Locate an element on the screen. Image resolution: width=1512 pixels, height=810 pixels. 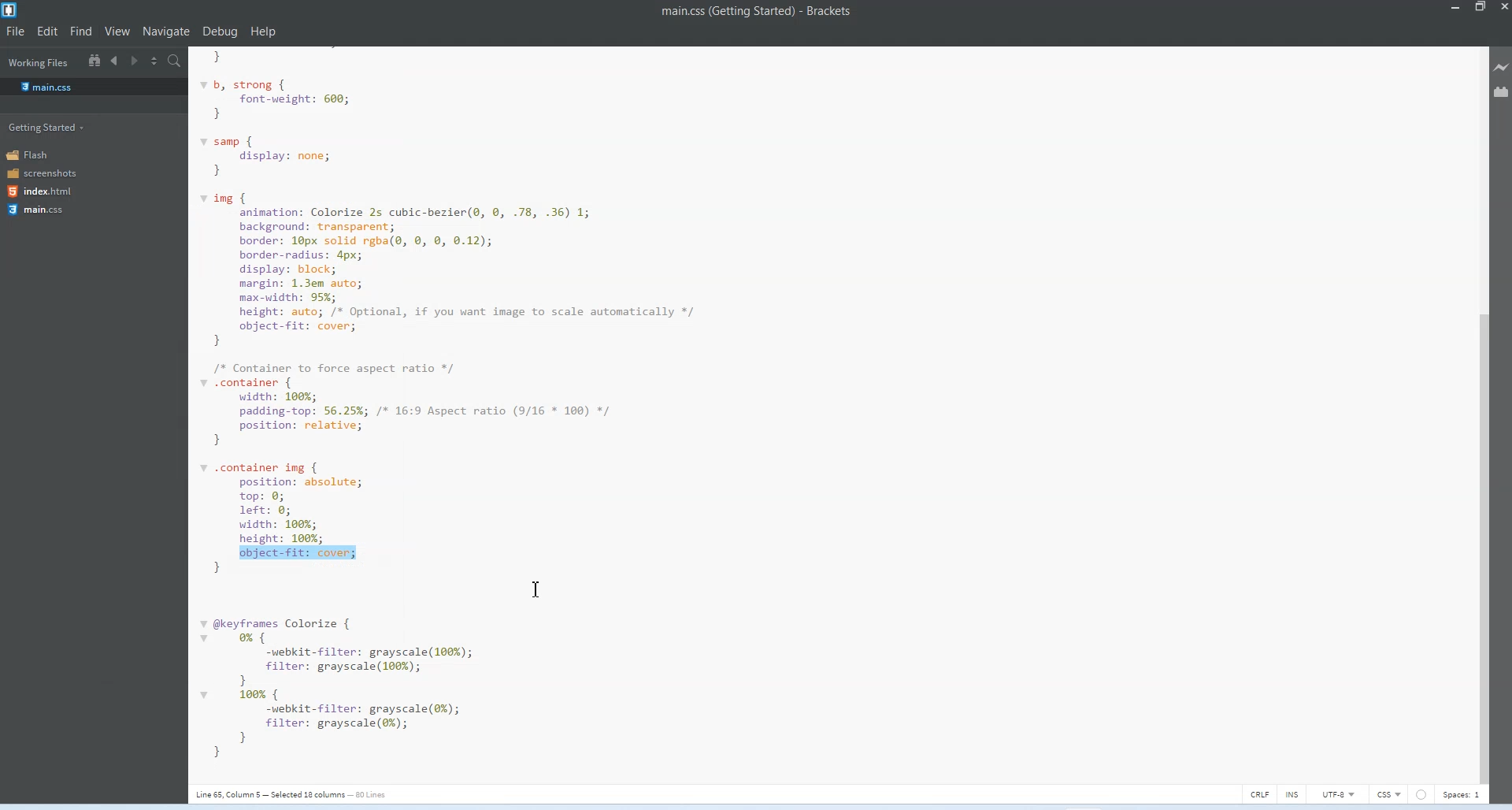
CSS is located at coordinates (1391, 793).